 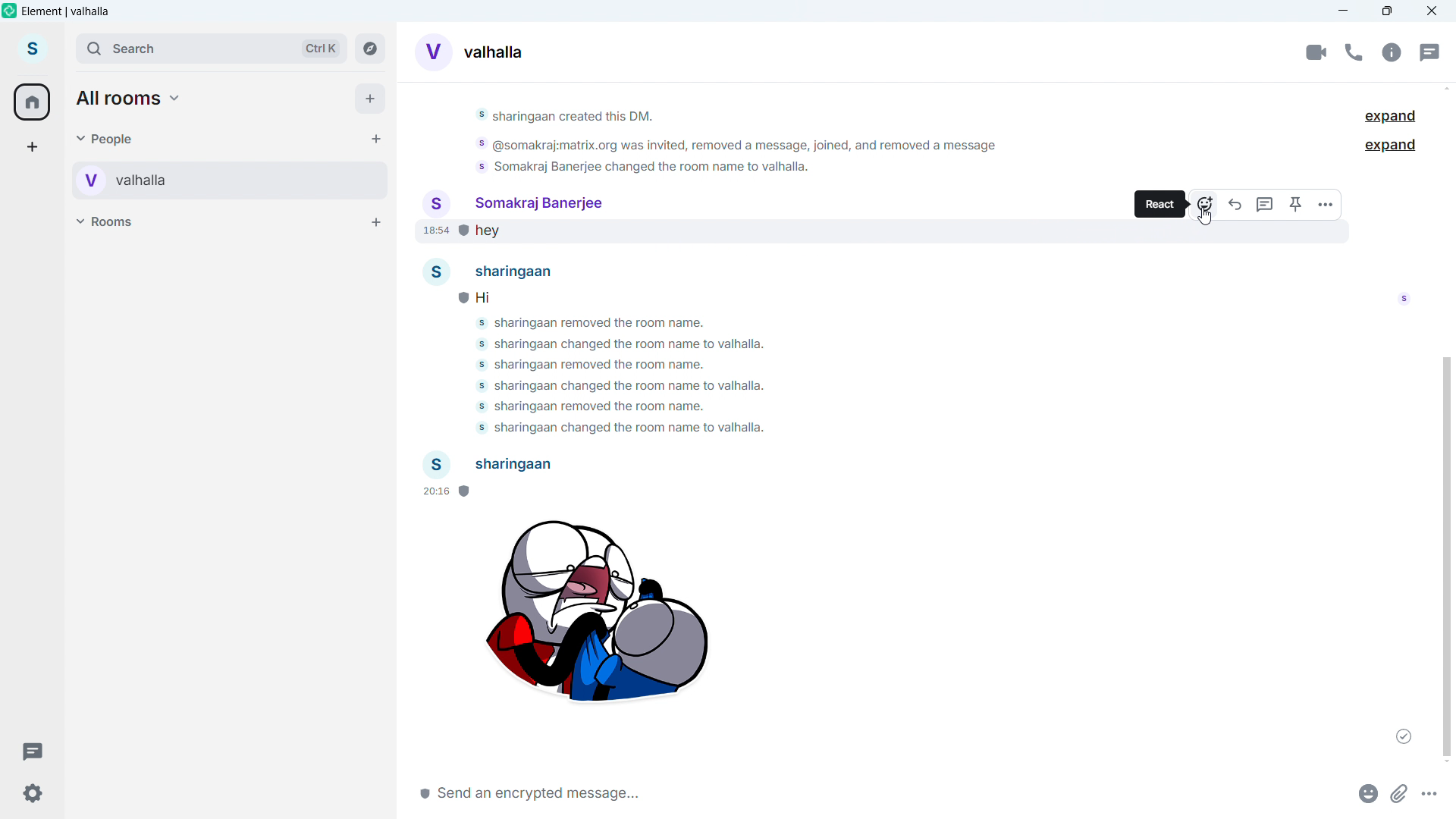 I want to click on Pin , so click(x=1296, y=204).